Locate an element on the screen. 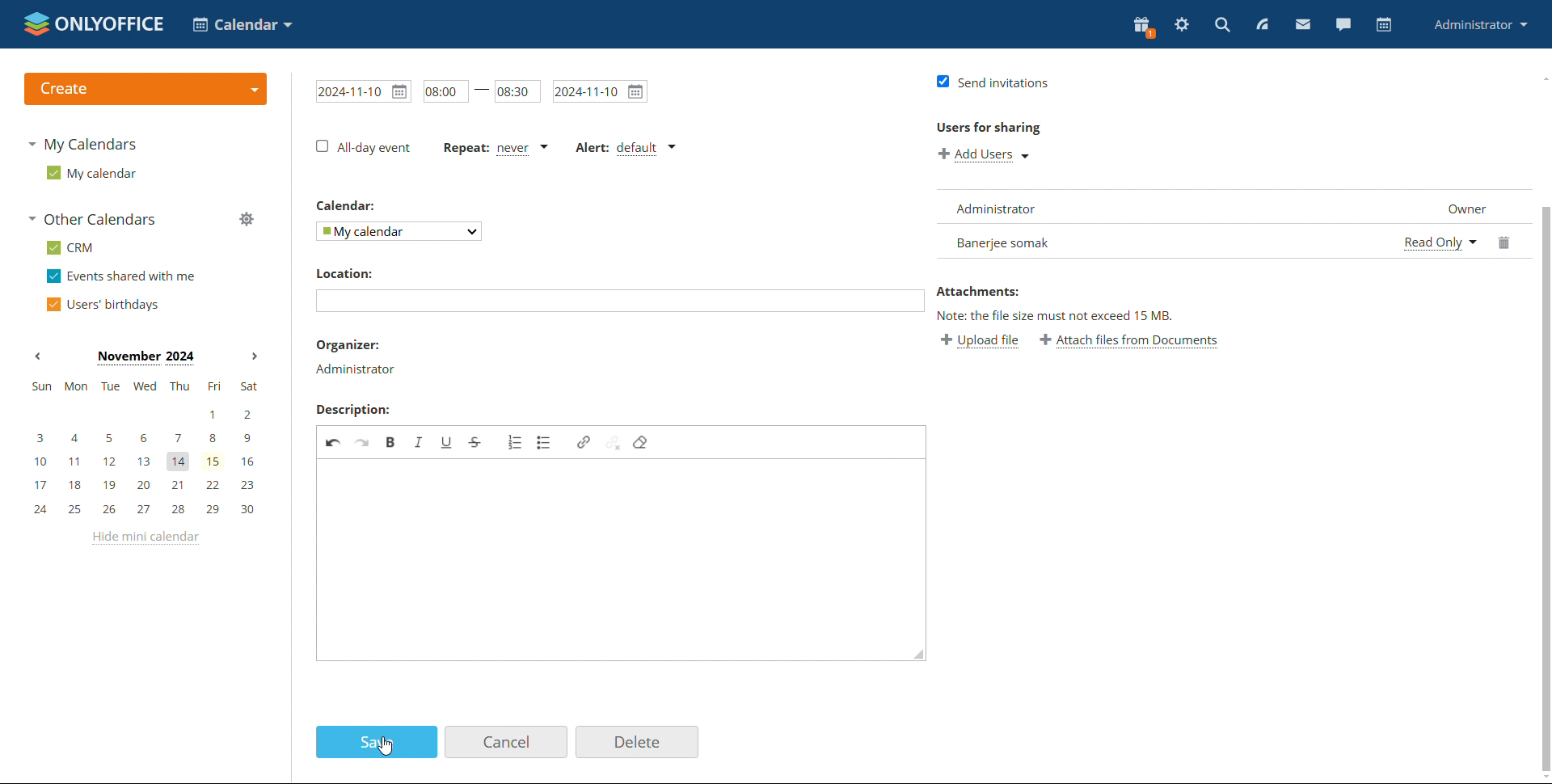 The image size is (1552, 784). italic is located at coordinates (420, 440).